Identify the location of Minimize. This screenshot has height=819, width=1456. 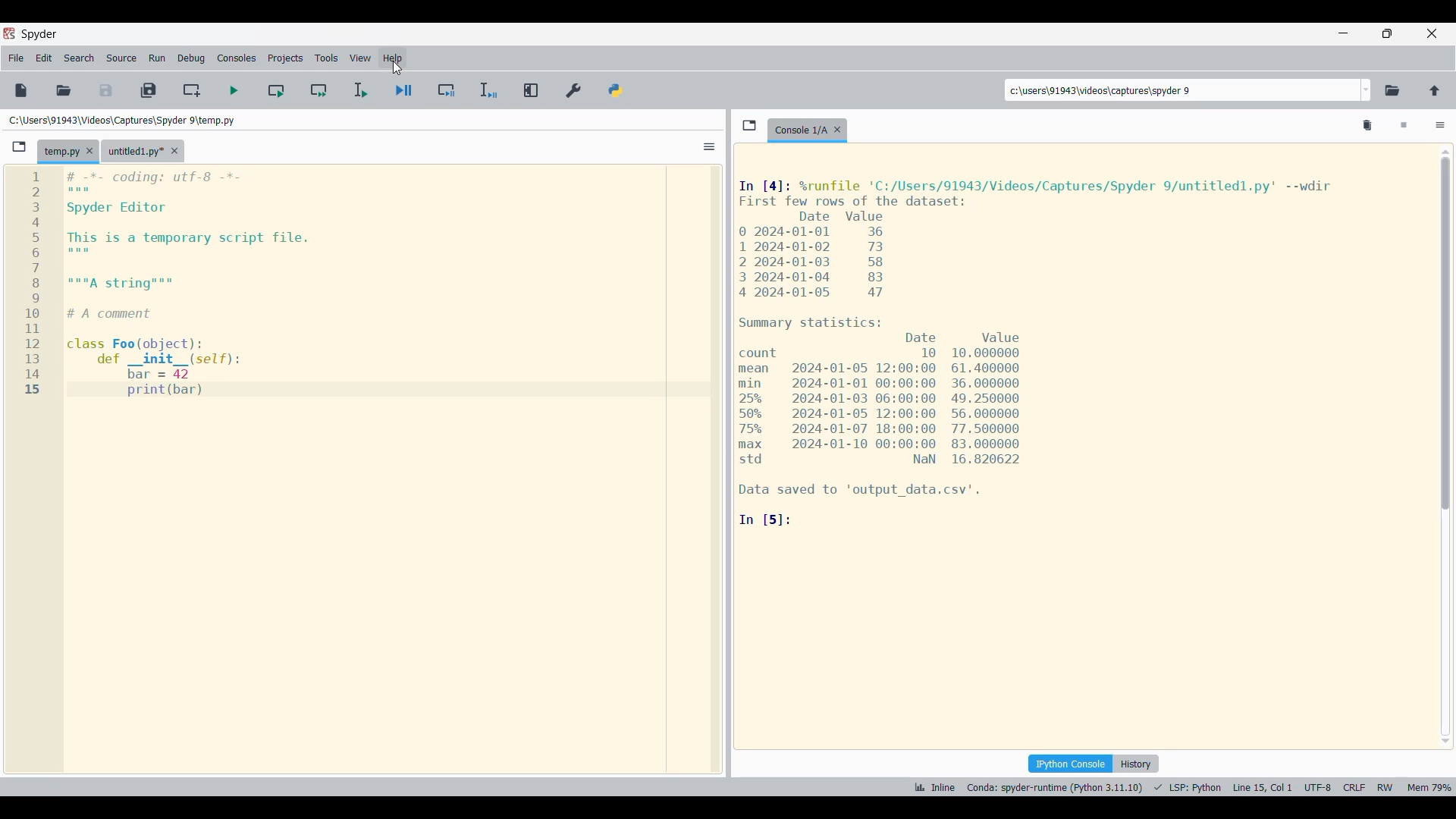
(1344, 33).